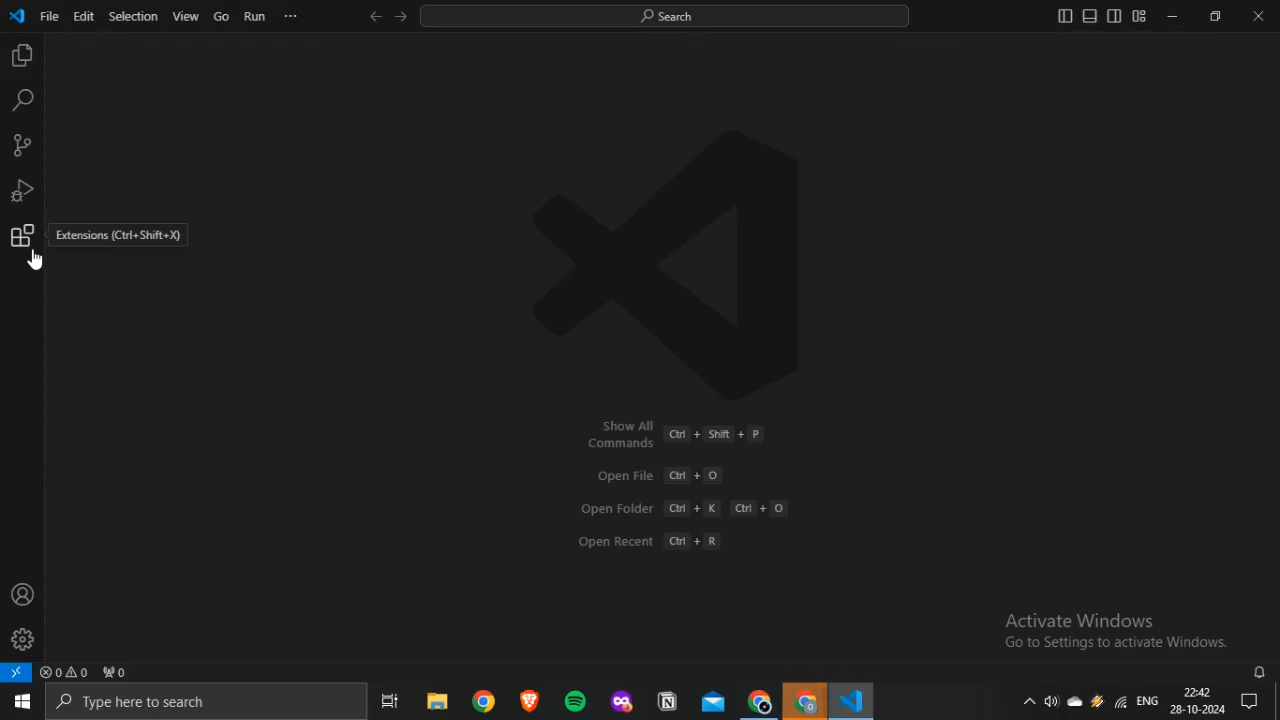 Image resolution: width=1280 pixels, height=720 pixels. What do you see at coordinates (1215, 15) in the screenshot?
I see `restore` at bounding box center [1215, 15].